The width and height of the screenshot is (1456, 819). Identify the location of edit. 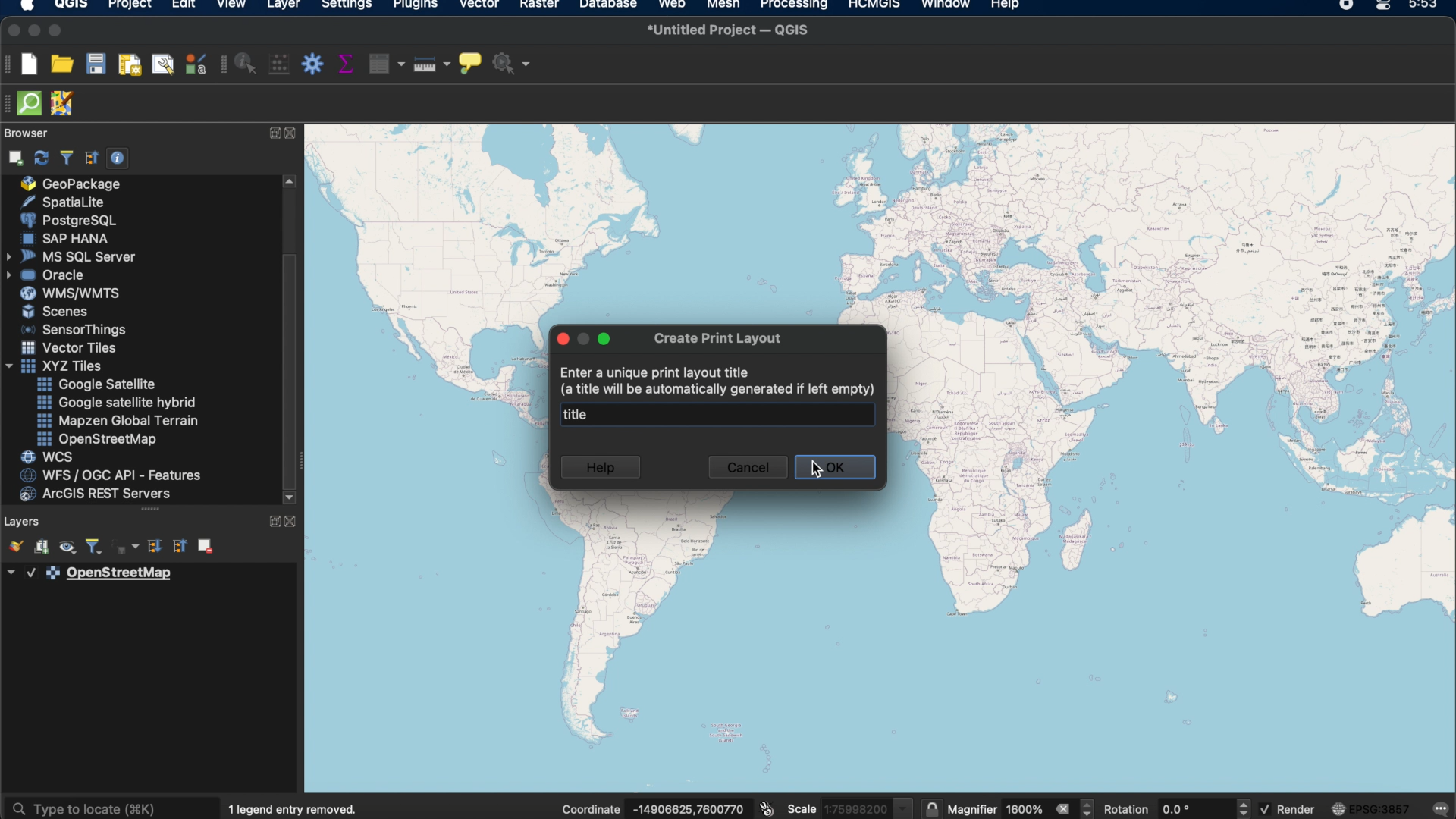
(184, 6).